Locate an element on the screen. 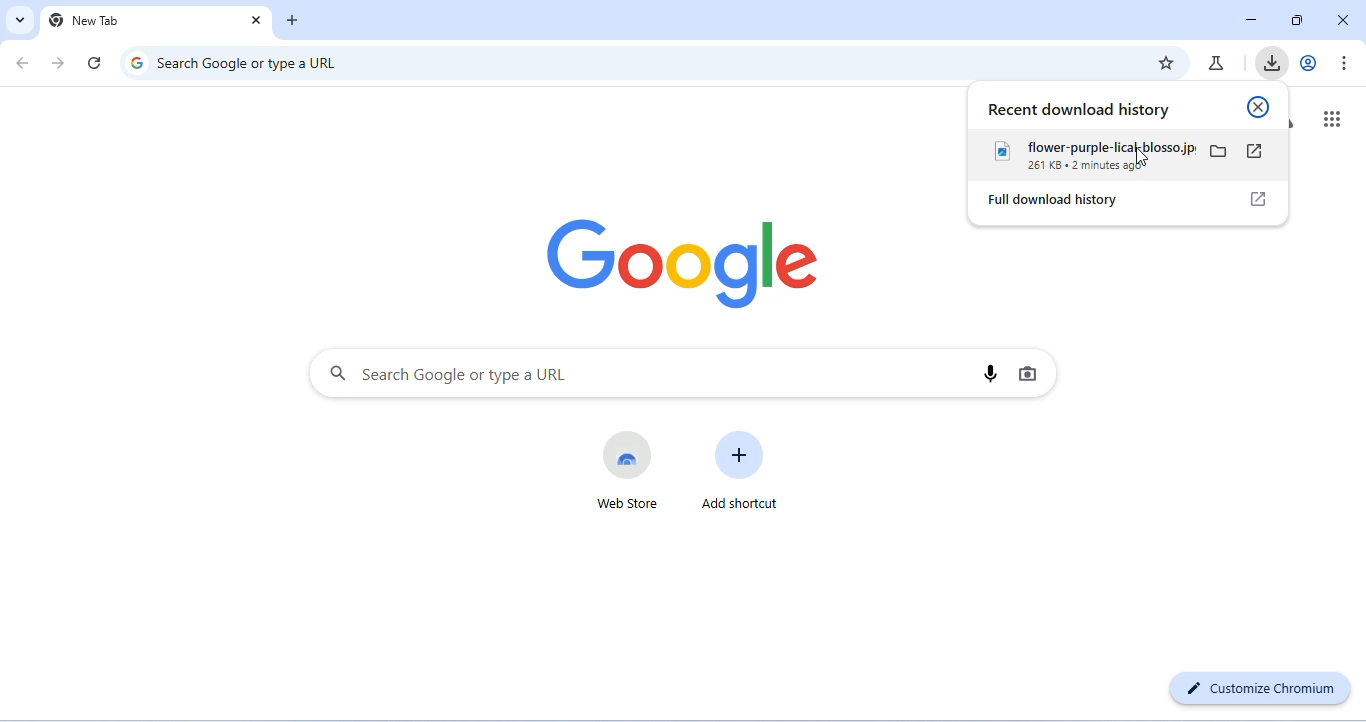 This screenshot has height=722, width=1366. minimize is located at coordinates (1252, 22).